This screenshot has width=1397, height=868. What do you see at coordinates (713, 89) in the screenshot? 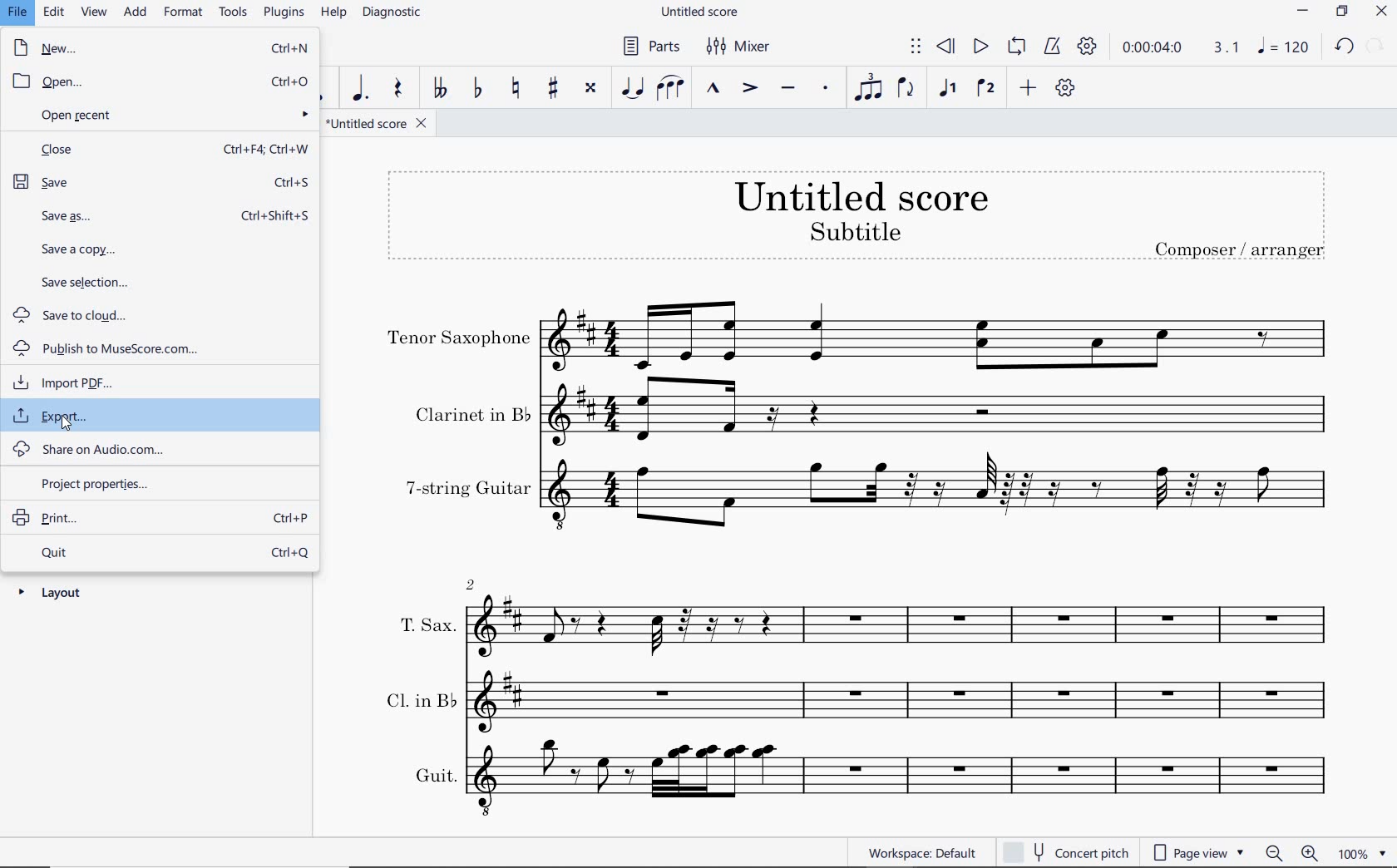
I see `MARCATO` at bounding box center [713, 89].